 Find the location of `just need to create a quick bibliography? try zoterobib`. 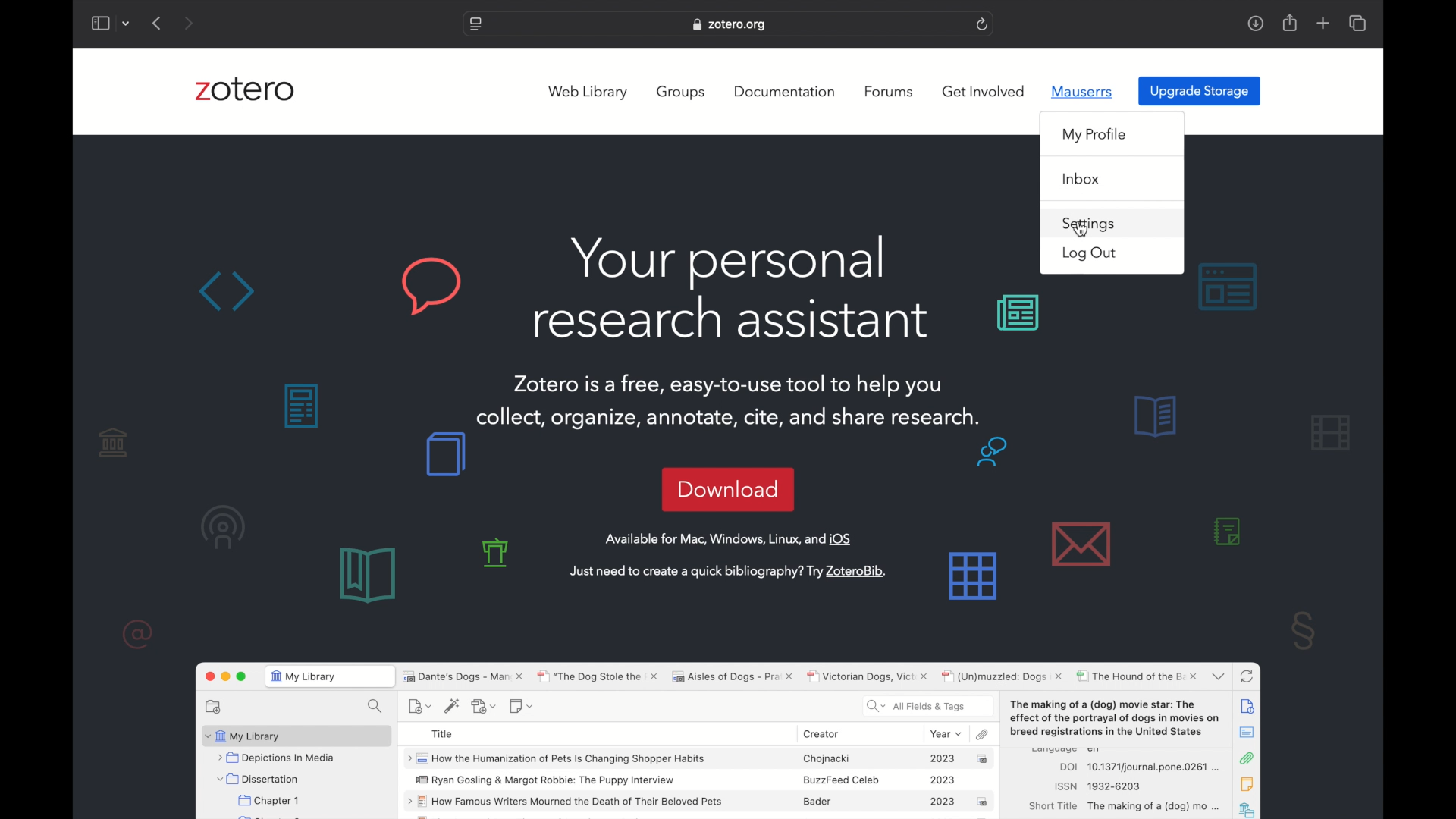

just need to create a quick bibliography? try zoterobib is located at coordinates (728, 573).